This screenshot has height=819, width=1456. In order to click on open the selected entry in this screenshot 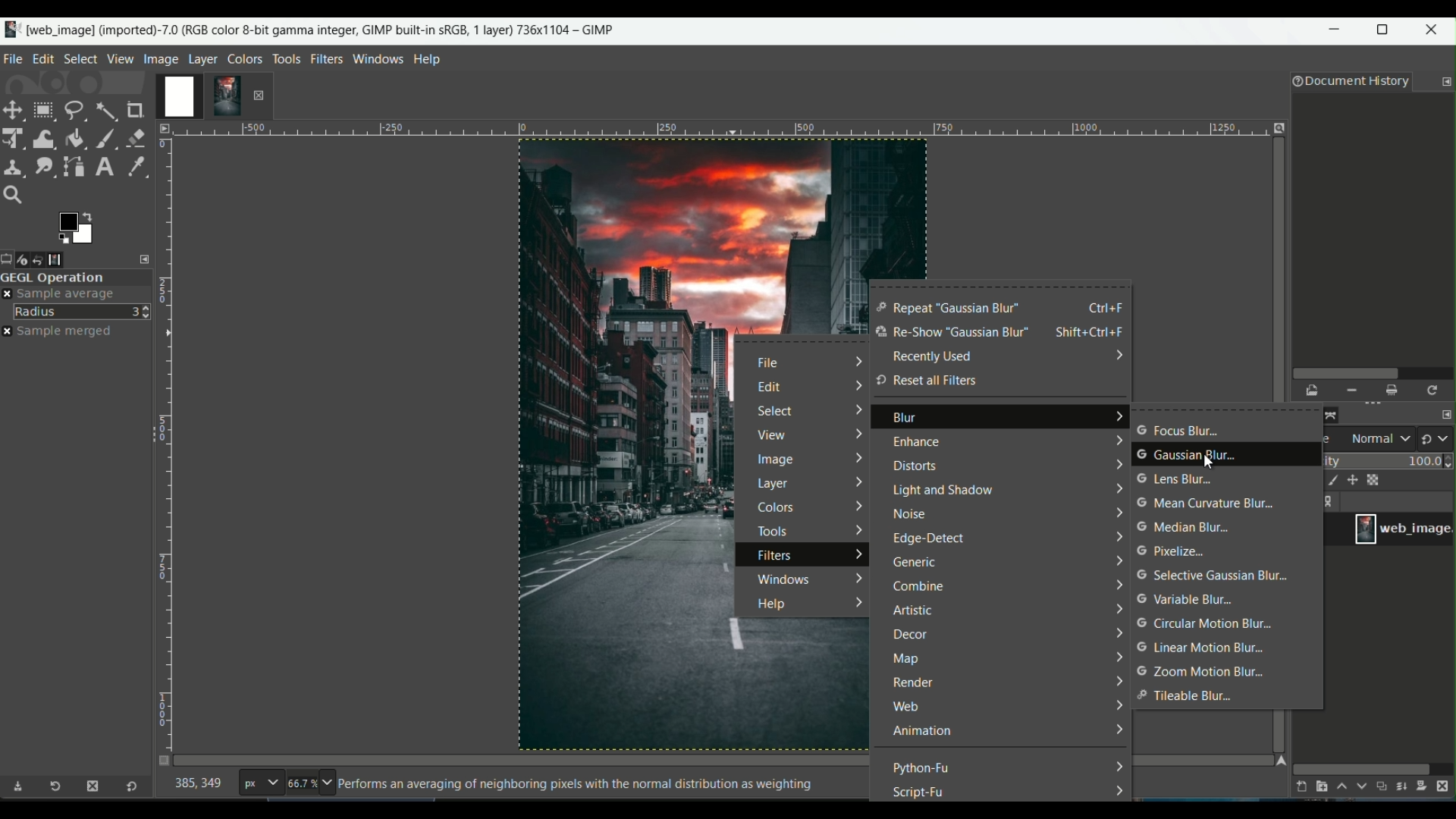, I will do `click(1313, 391)`.